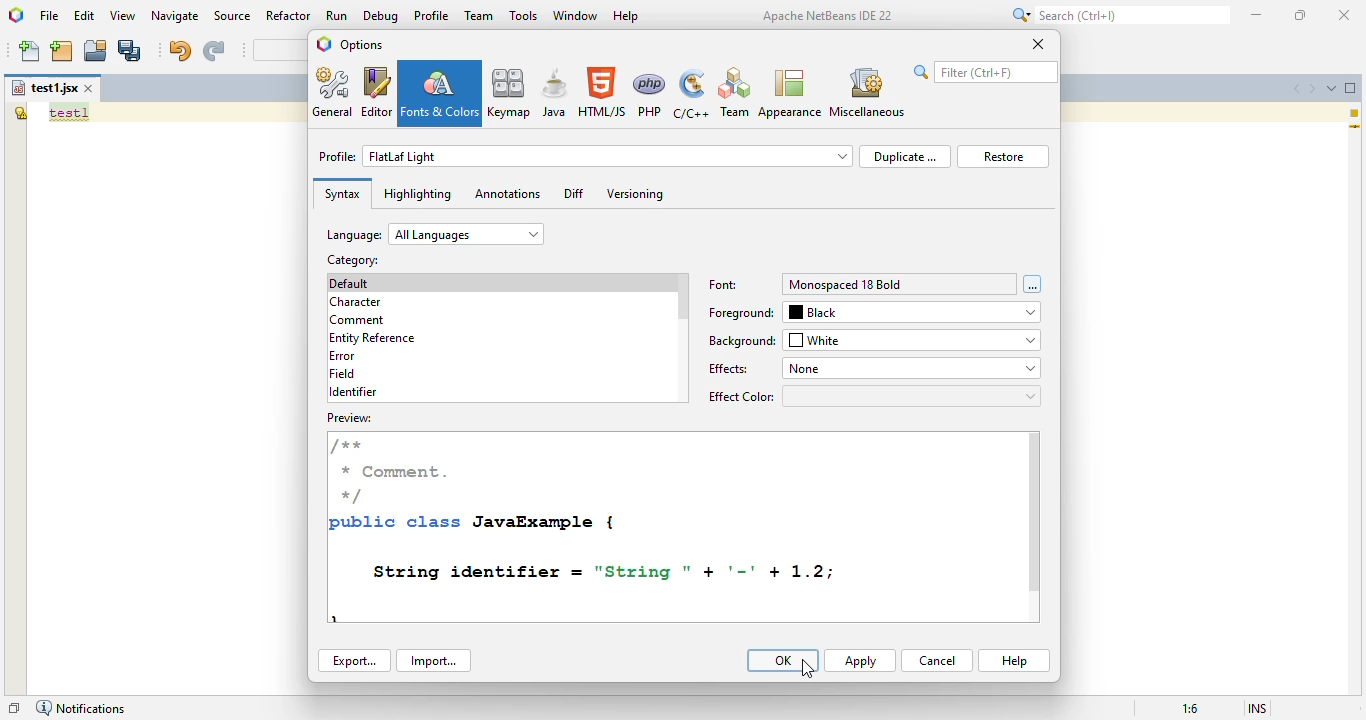 The image size is (1366, 720). What do you see at coordinates (359, 320) in the screenshot?
I see `comment` at bounding box center [359, 320].